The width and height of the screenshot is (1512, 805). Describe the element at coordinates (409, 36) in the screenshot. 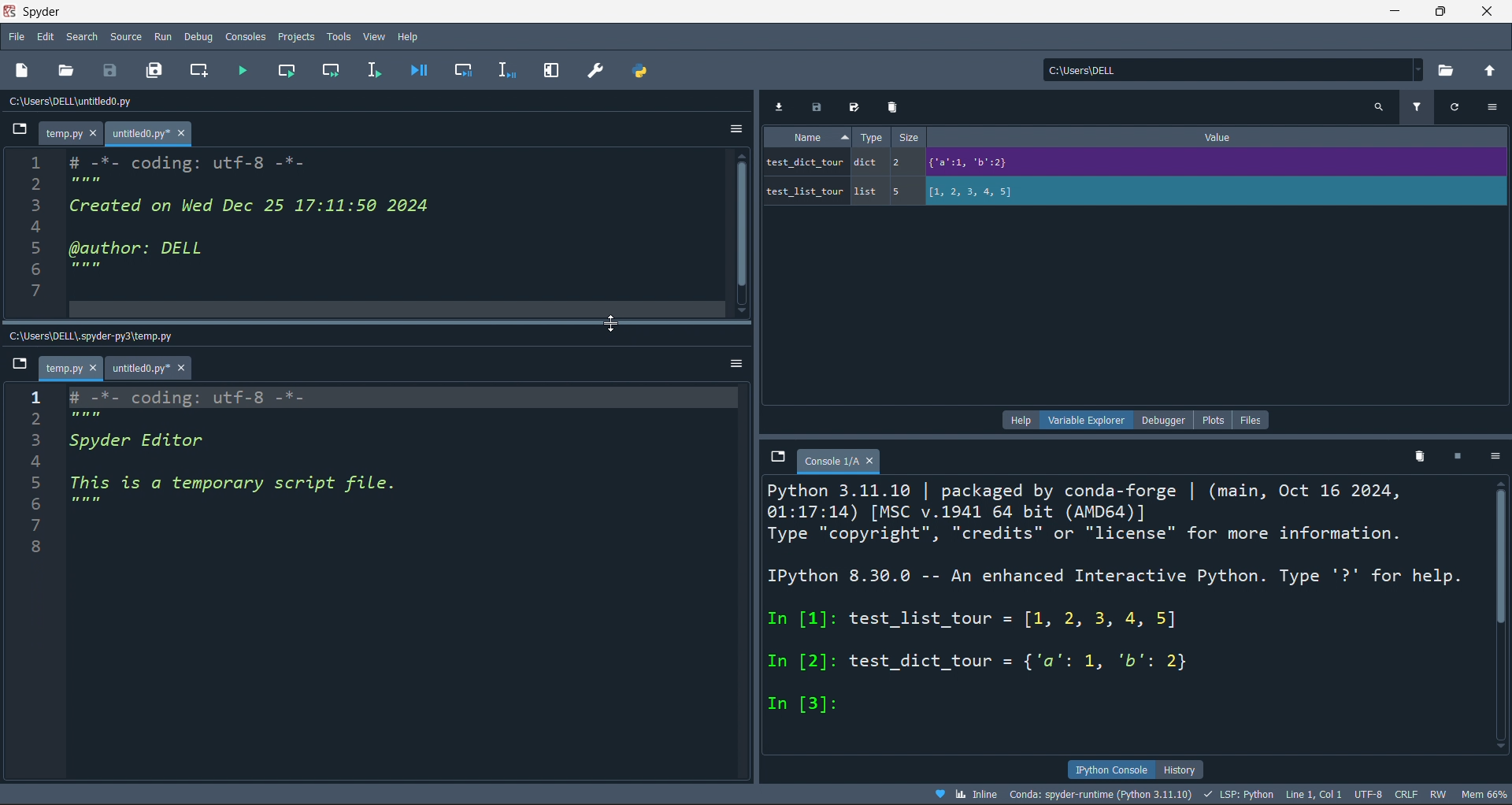

I see `help` at that location.